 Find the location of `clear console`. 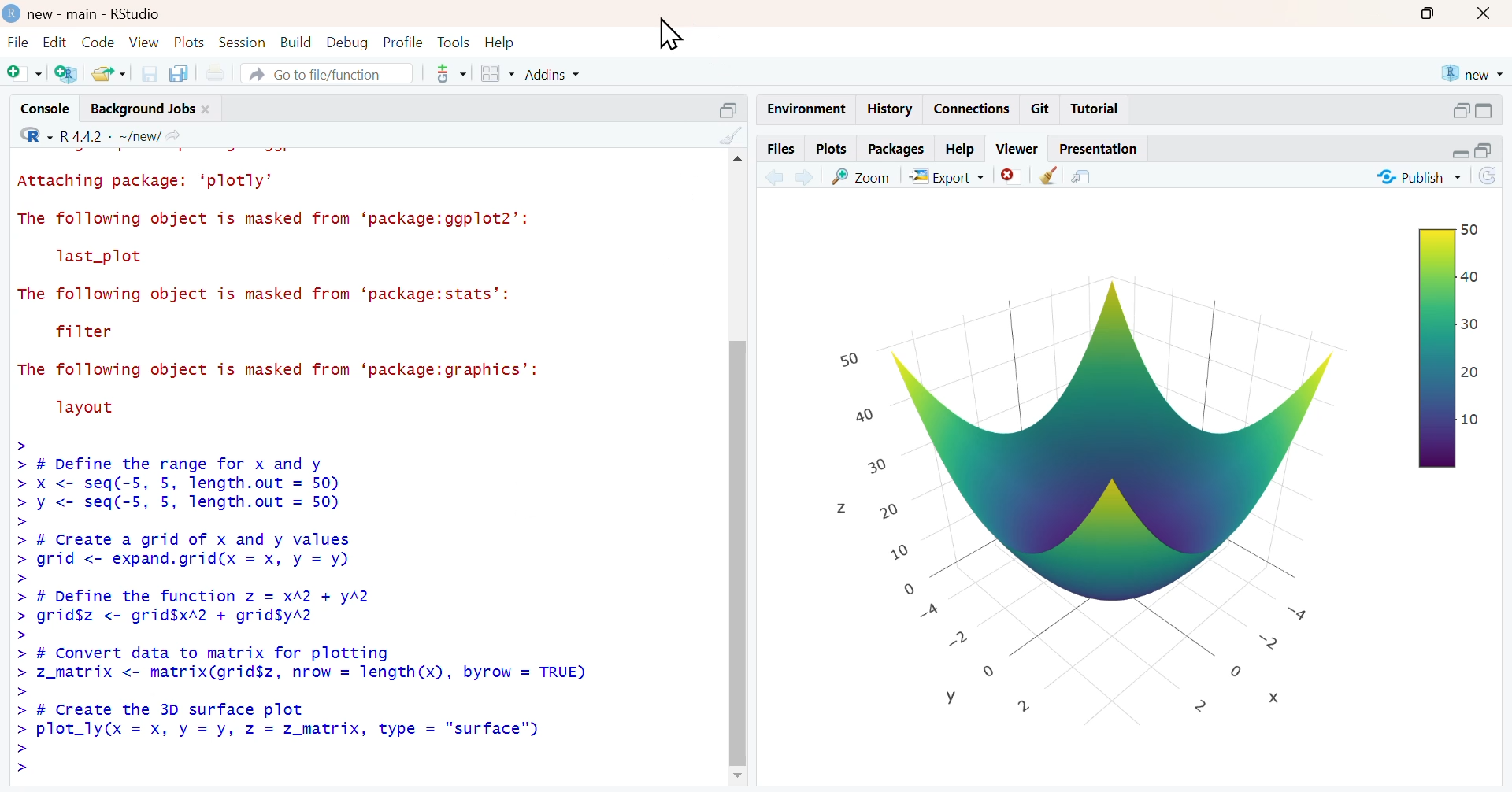

clear console is located at coordinates (730, 135).